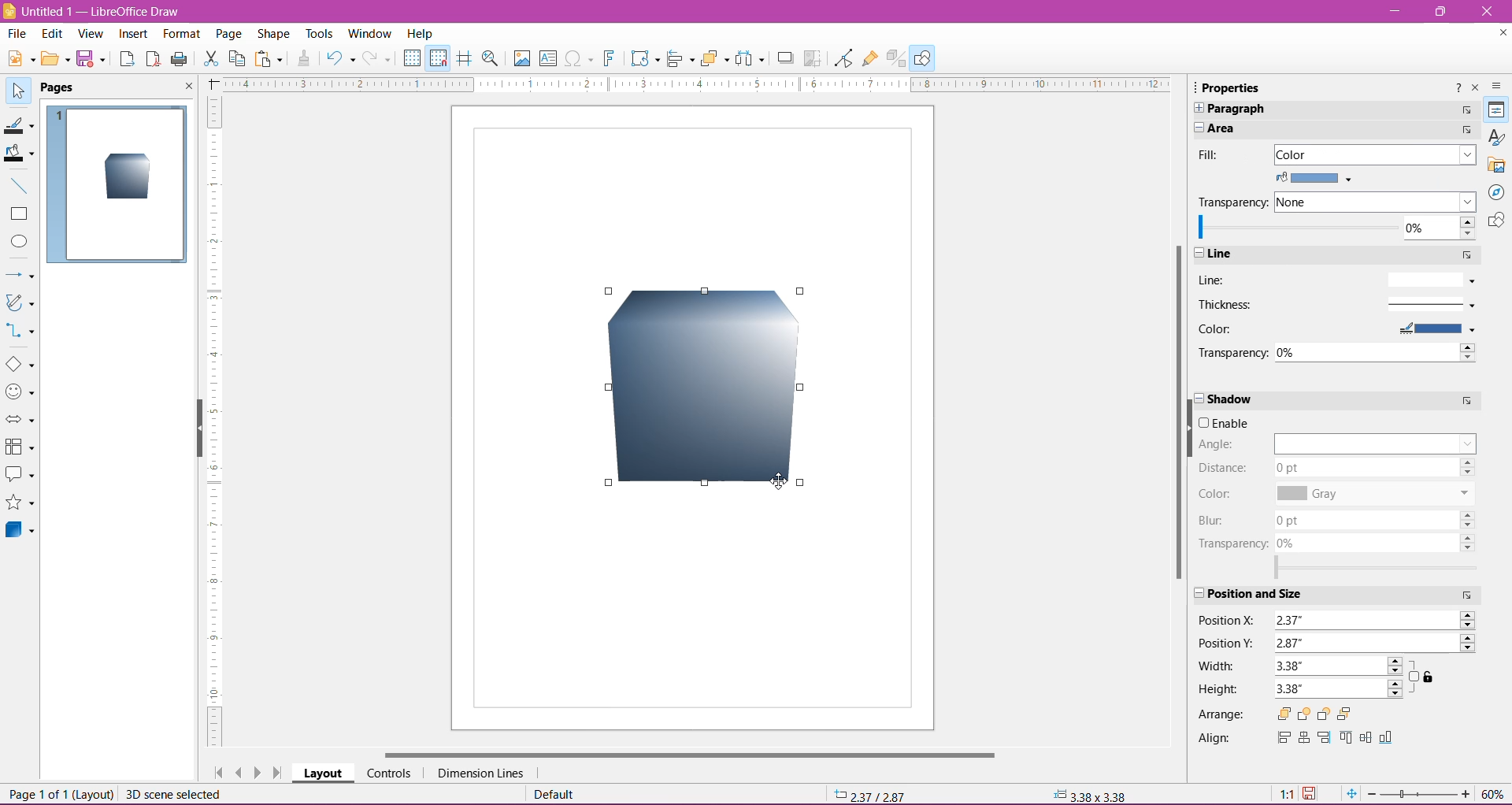 This screenshot has width=1512, height=805. Describe the element at coordinates (1218, 493) in the screenshot. I see `Color` at that location.